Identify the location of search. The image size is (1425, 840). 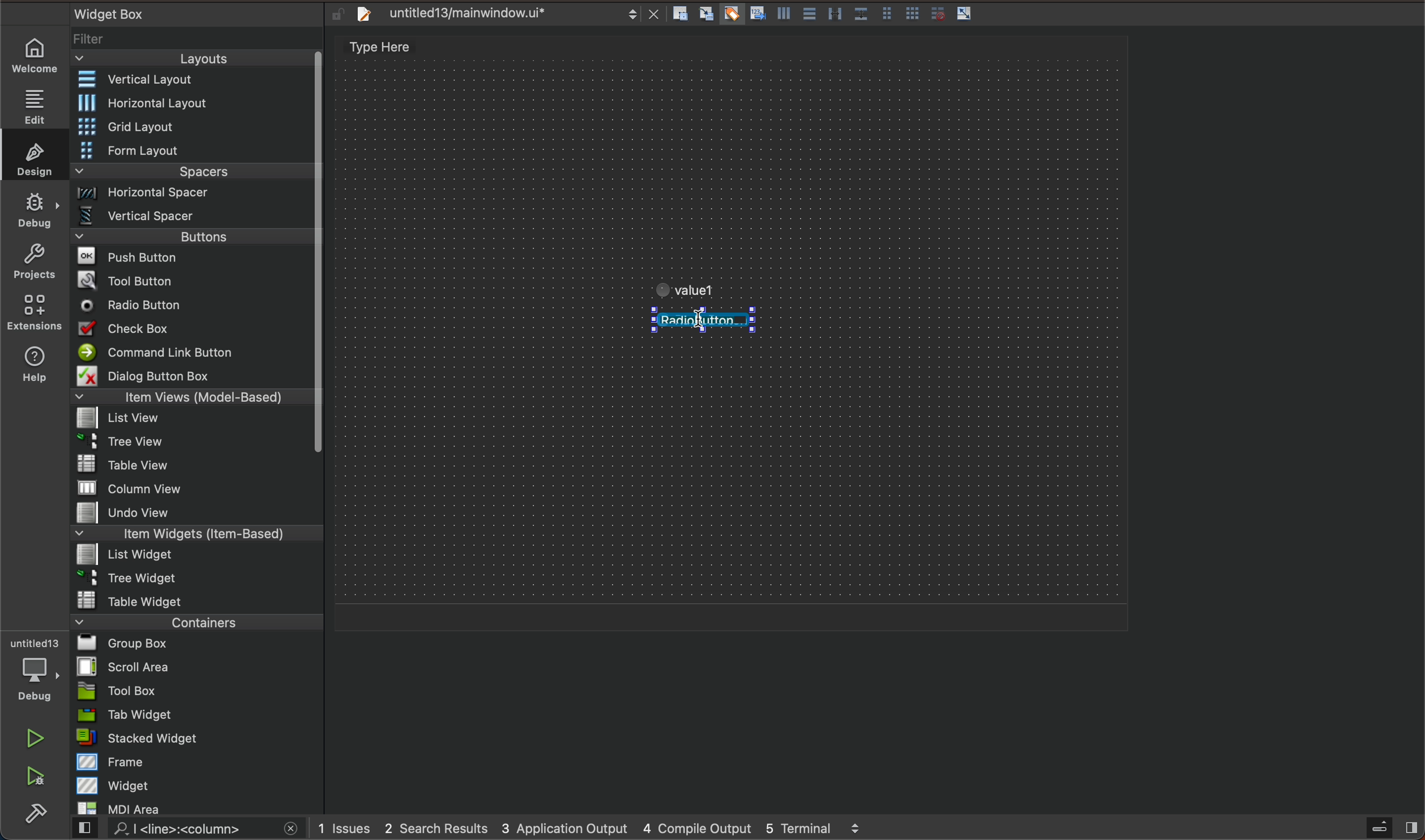
(183, 829).